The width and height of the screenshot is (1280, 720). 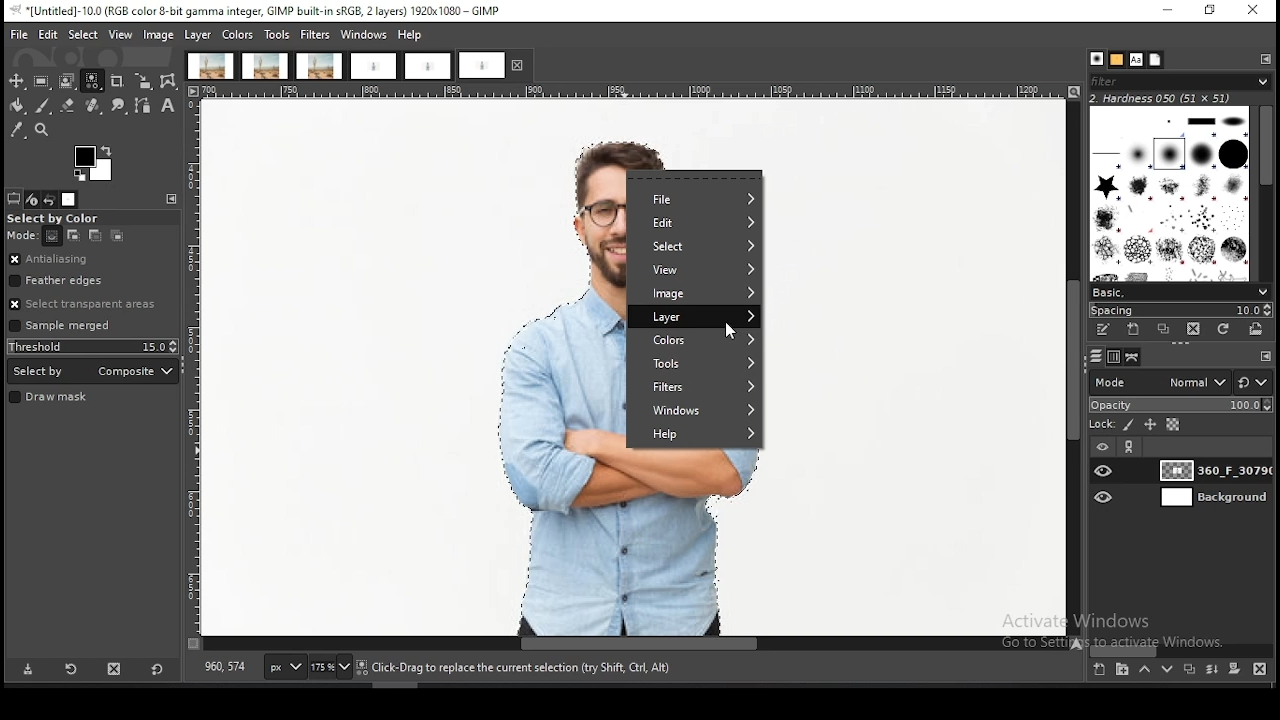 What do you see at coordinates (266, 66) in the screenshot?
I see `project tab` at bounding box center [266, 66].